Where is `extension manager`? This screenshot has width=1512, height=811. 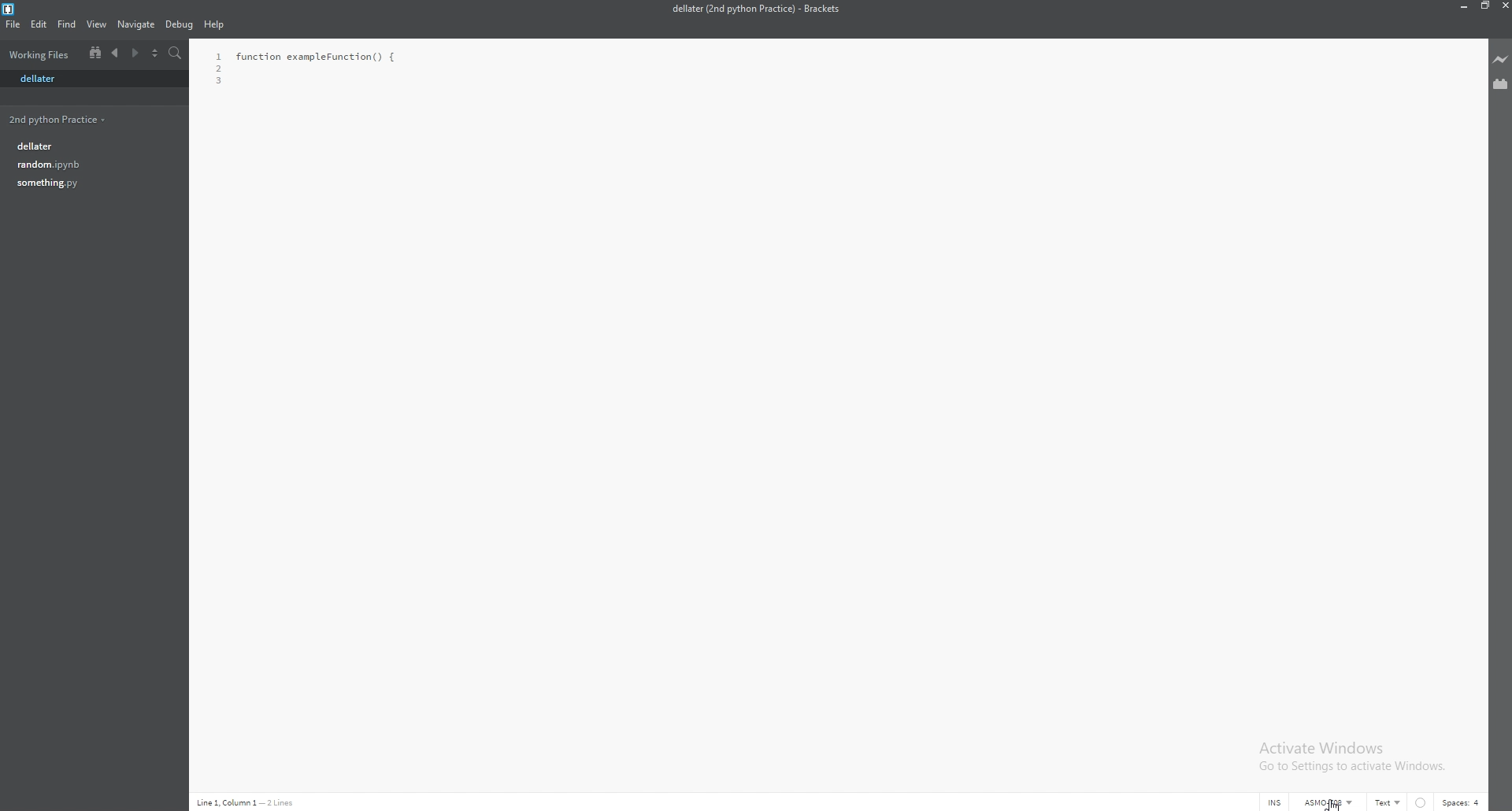
extension manager is located at coordinates (1499, 85).